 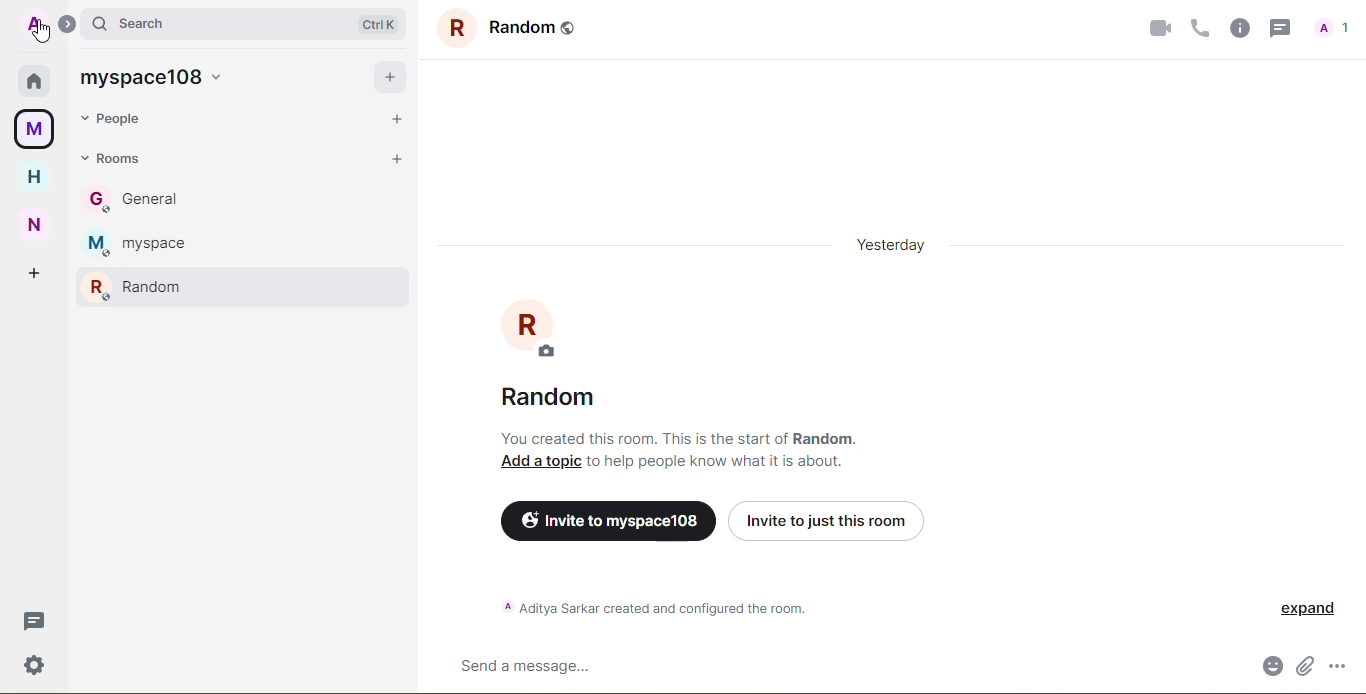 What do you see at coordinates (825, 517) in the screenshot?
I see `invite` at bounding box center [825, 517].